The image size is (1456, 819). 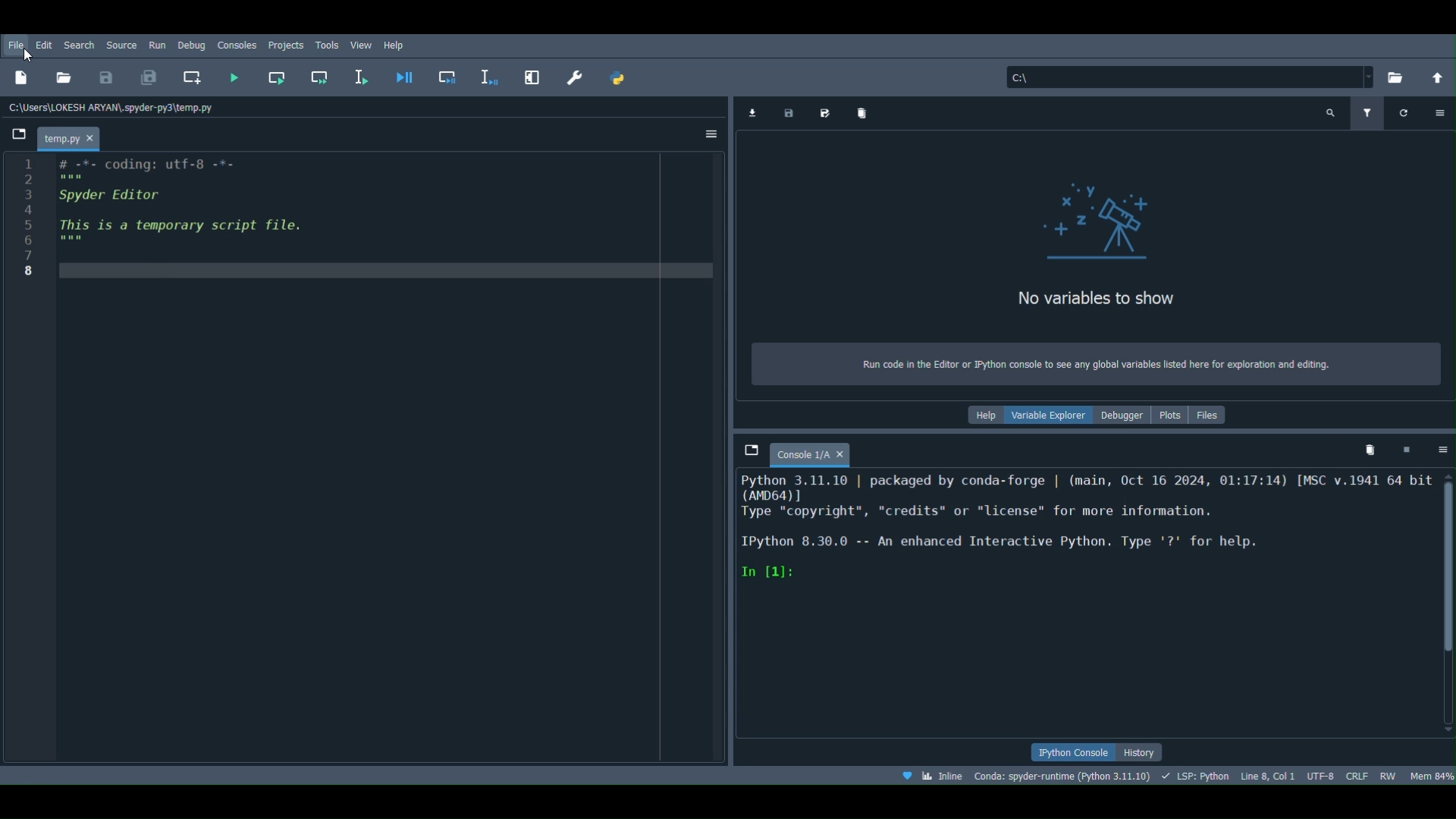 I want to click on History, so click(x=1141, y=753).